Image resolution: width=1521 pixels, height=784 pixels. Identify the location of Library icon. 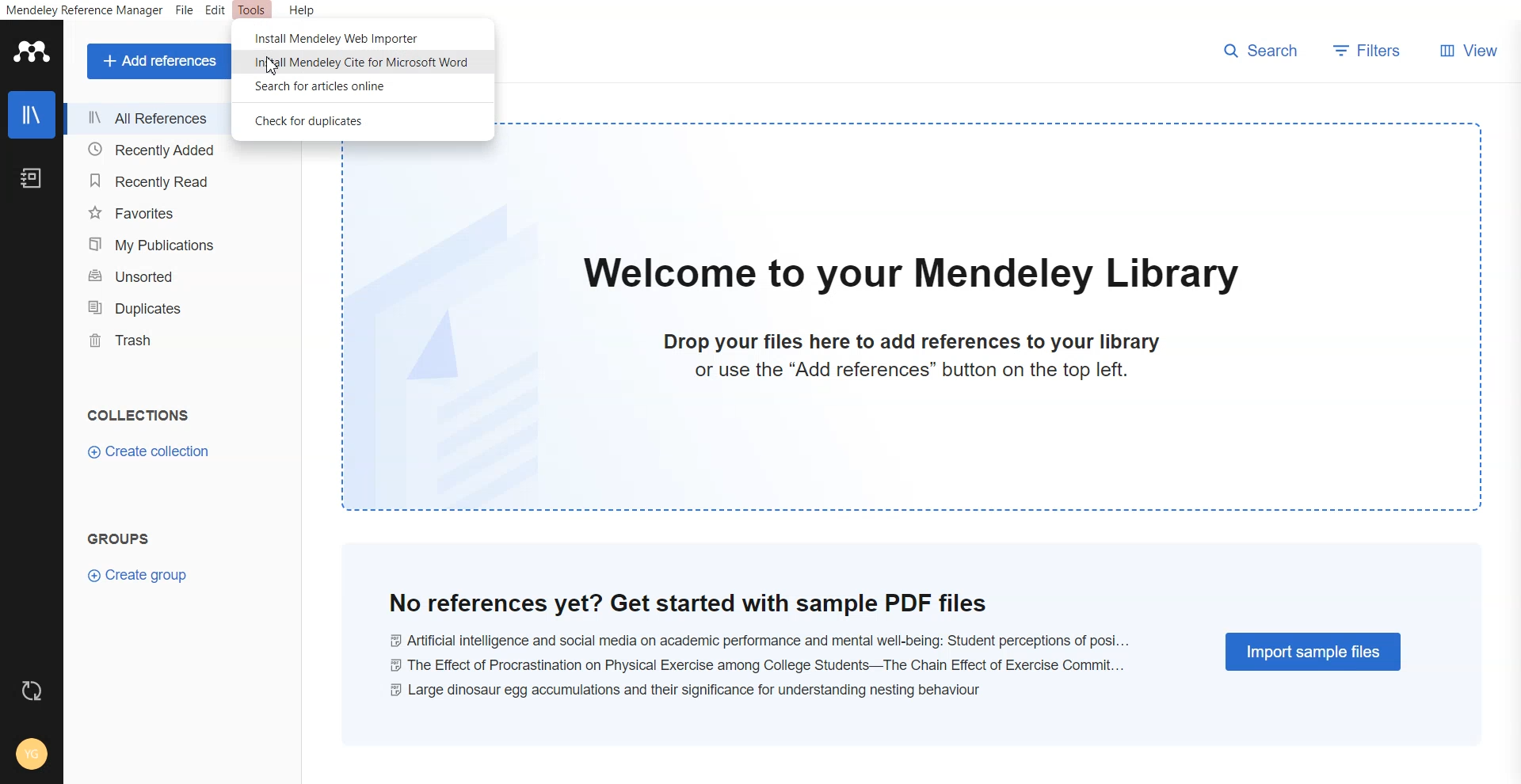
(32, 114).